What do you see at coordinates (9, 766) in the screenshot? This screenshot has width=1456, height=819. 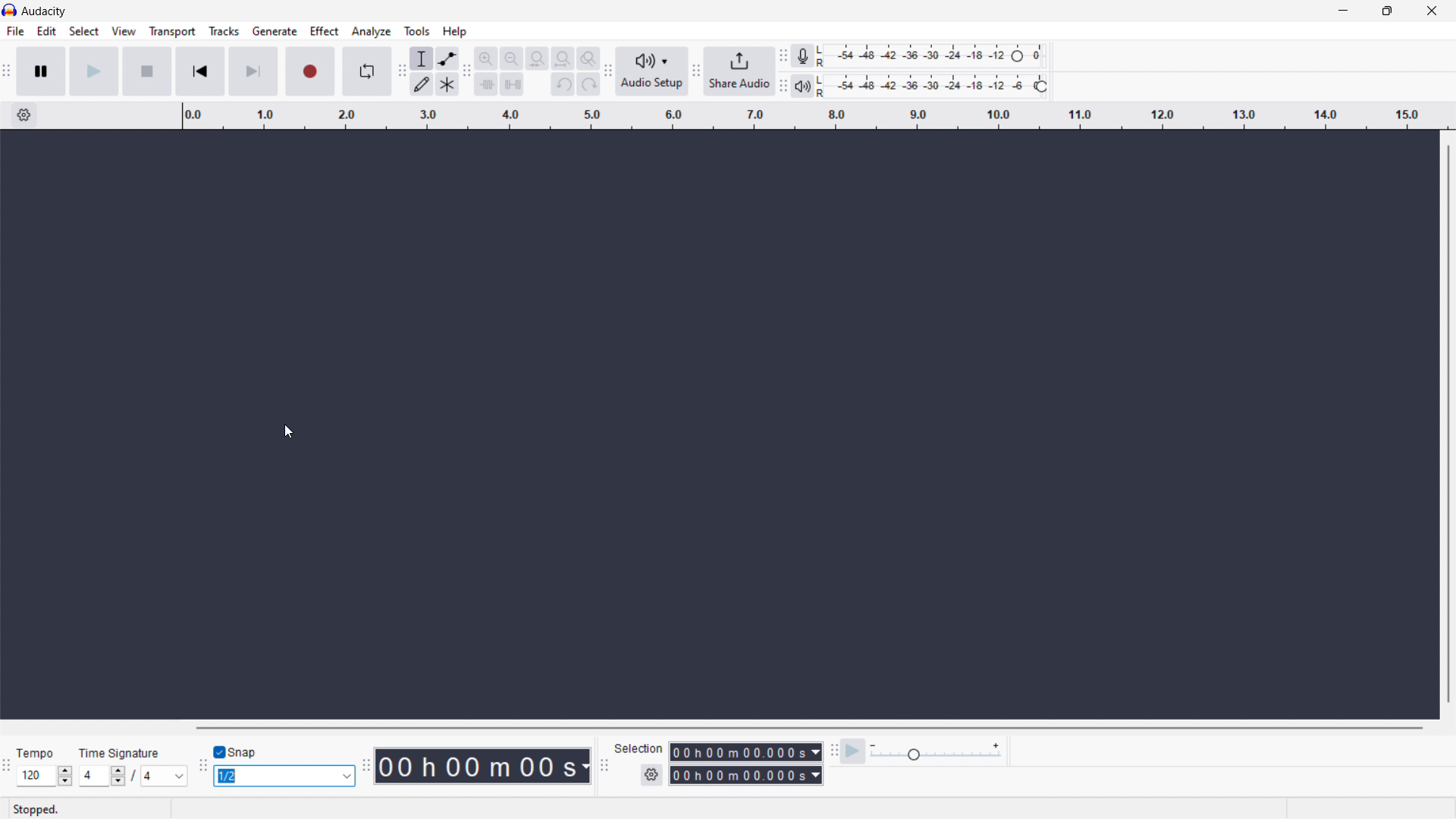 I see `time signature toolbar` at bounding box center [9, 766].